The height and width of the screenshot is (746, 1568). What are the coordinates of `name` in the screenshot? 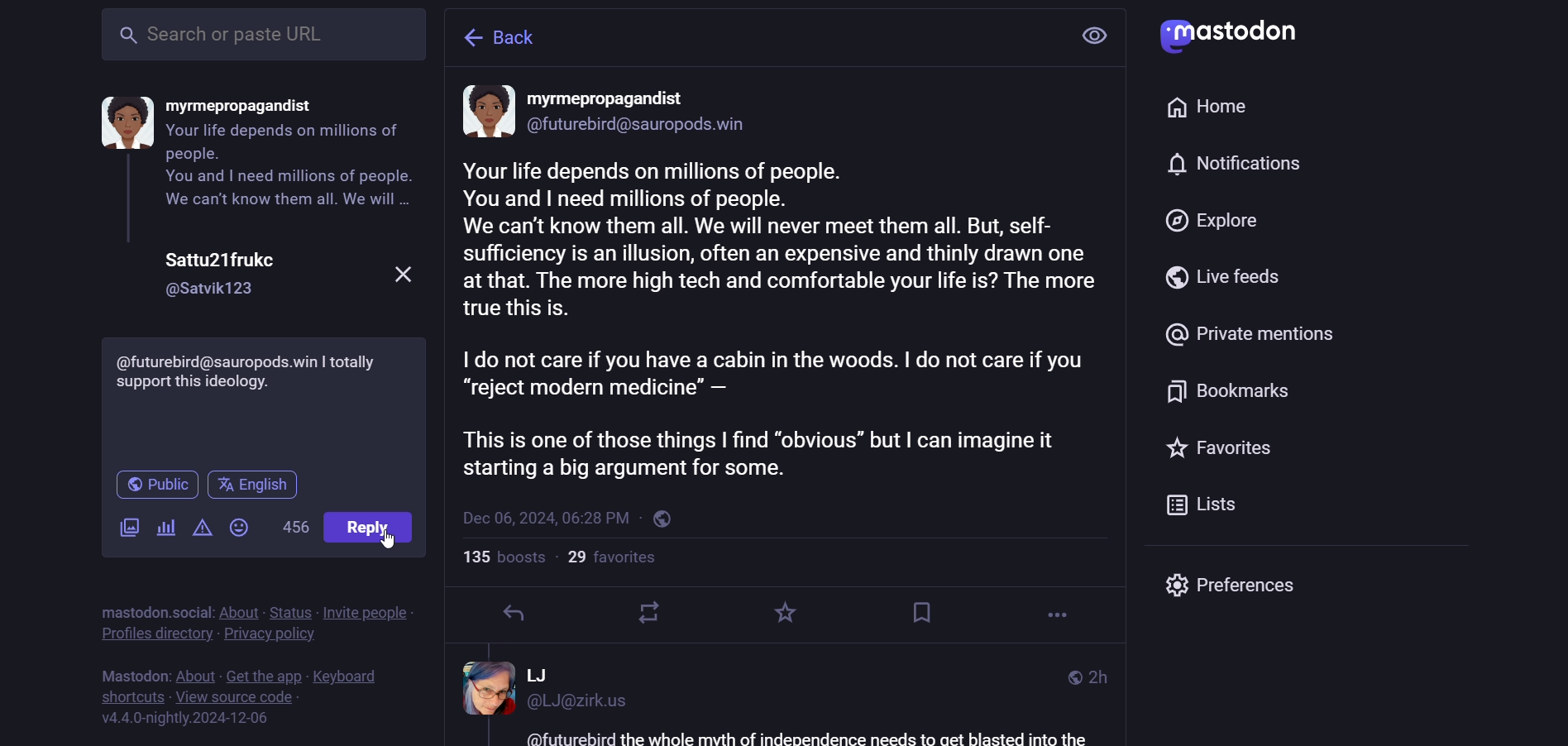 It's located at (543, 675).